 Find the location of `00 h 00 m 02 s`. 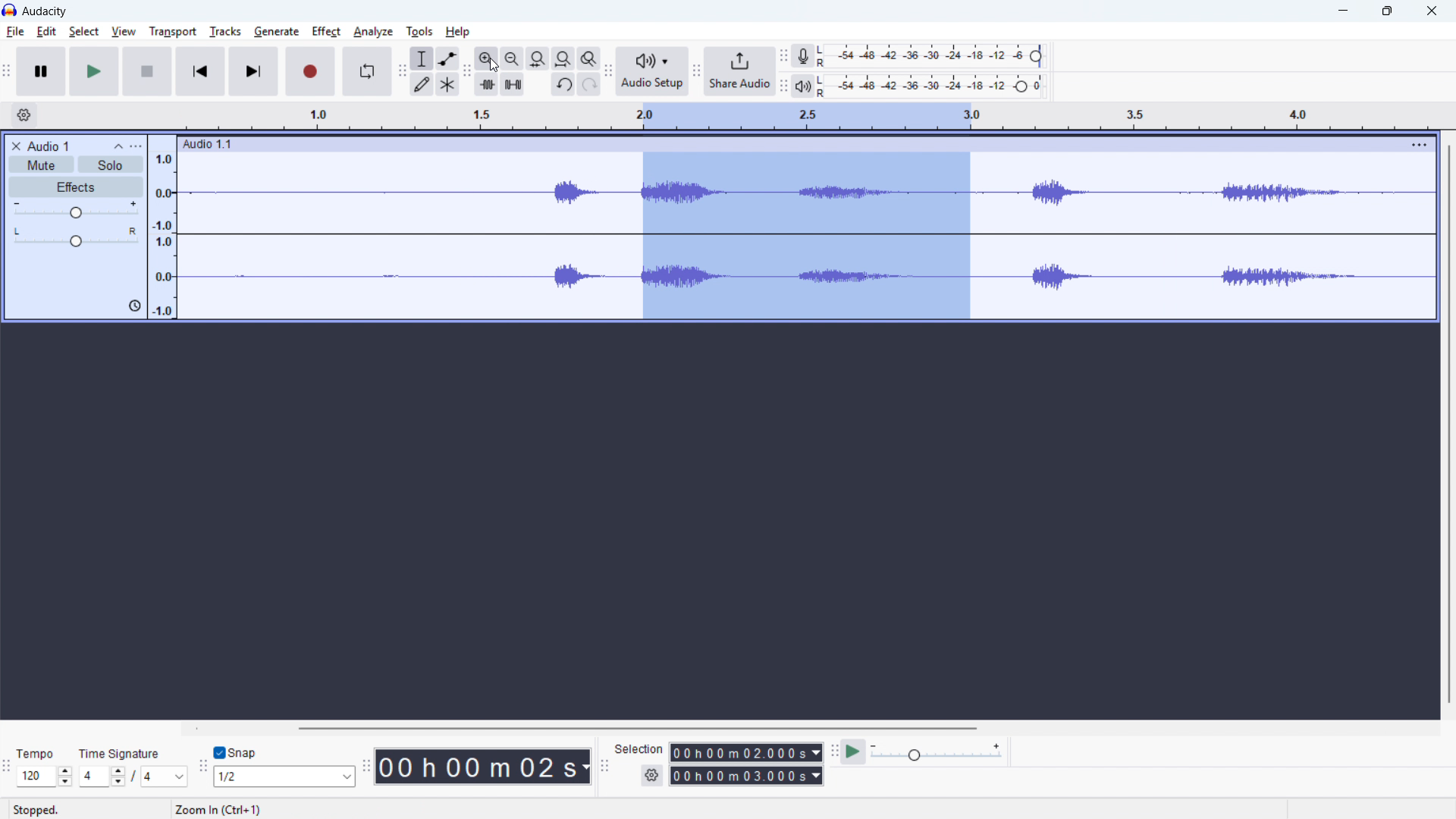

00 h 00 m 02 s is located at coordinates (485, 767).